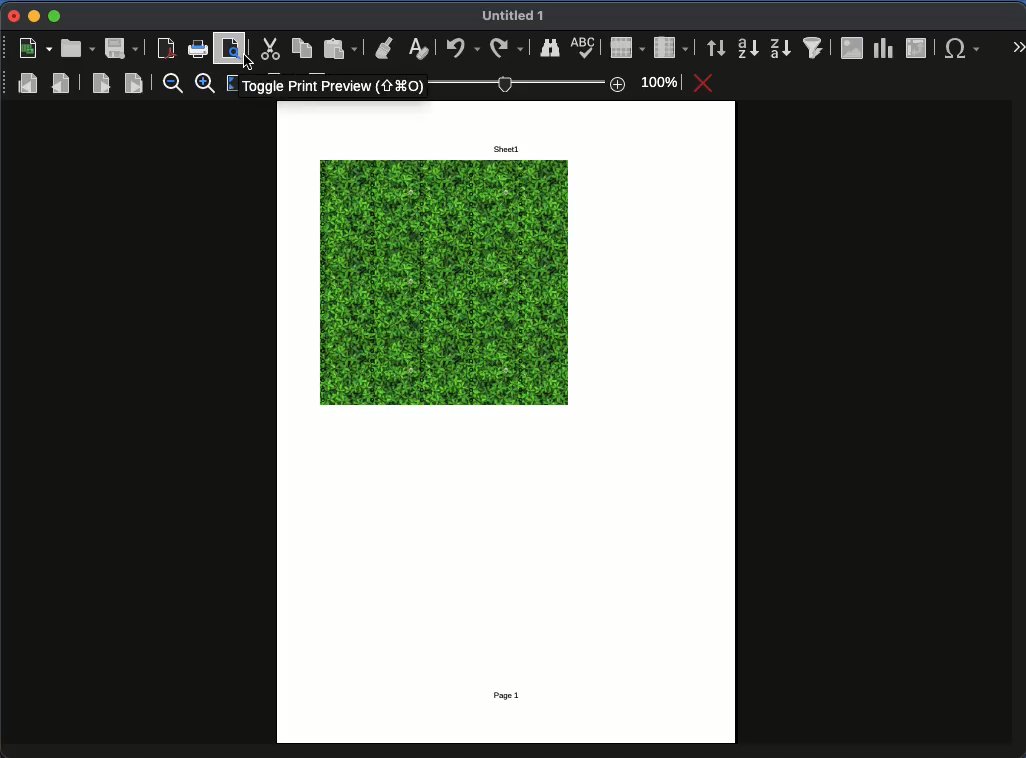  I want to click on click, so click(249, 63).